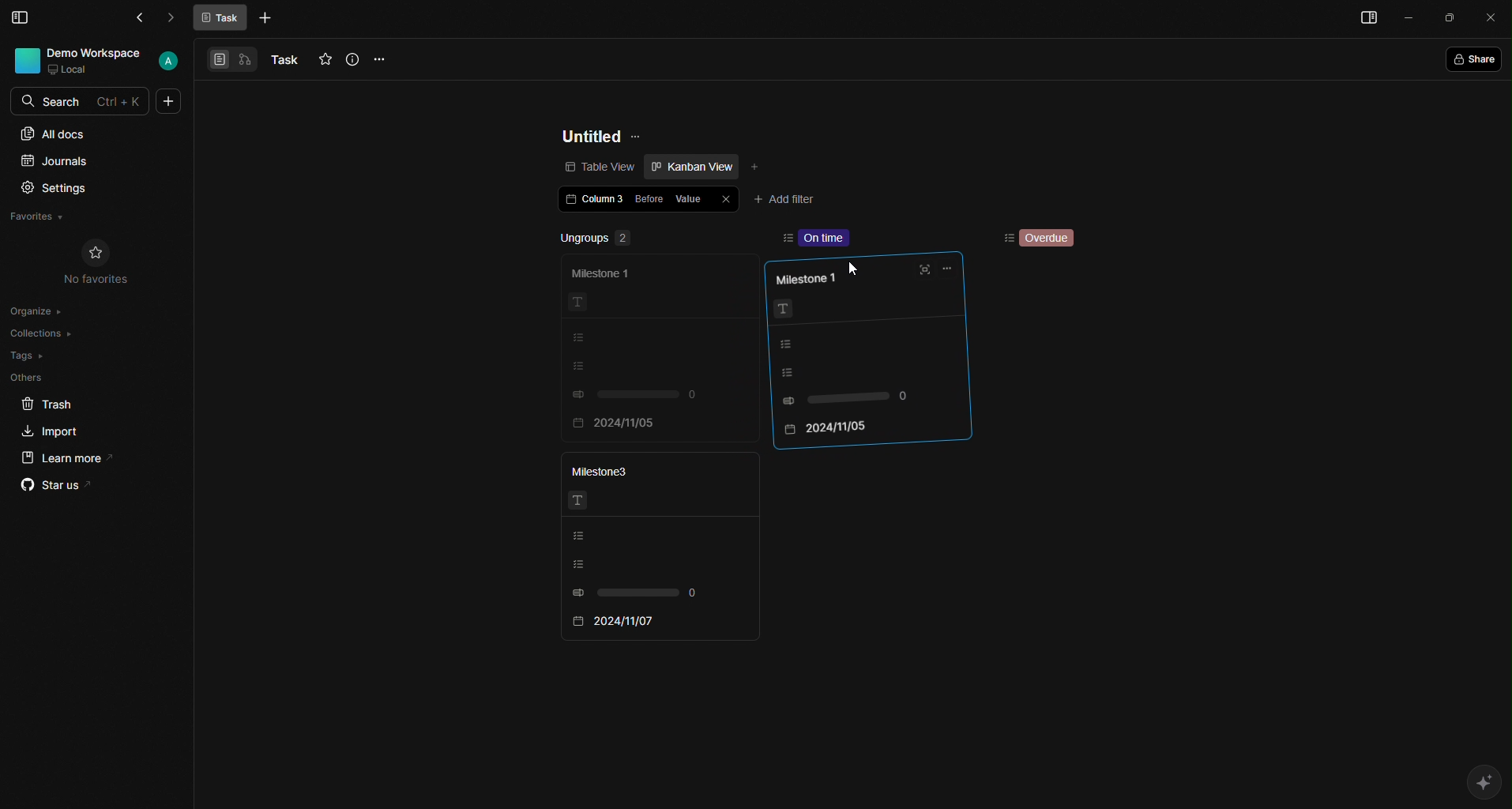 Image resolution: width=1512 pixels, height=809 pixels. Describe the element at coordinates (949, 271) in the screenshot. I see `Options` at that location.